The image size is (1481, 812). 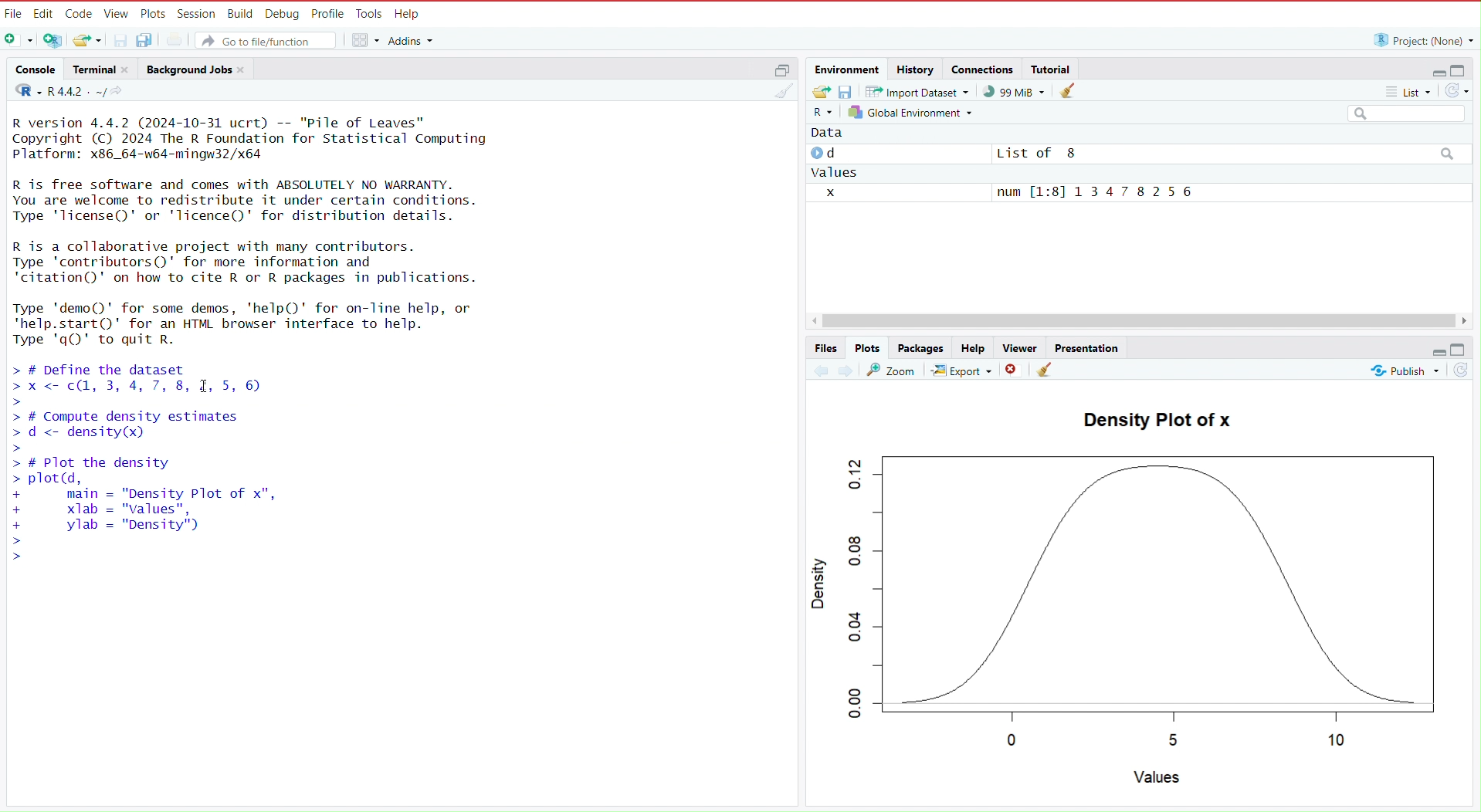 I want to click on maximize, so click(x=784, y=70).